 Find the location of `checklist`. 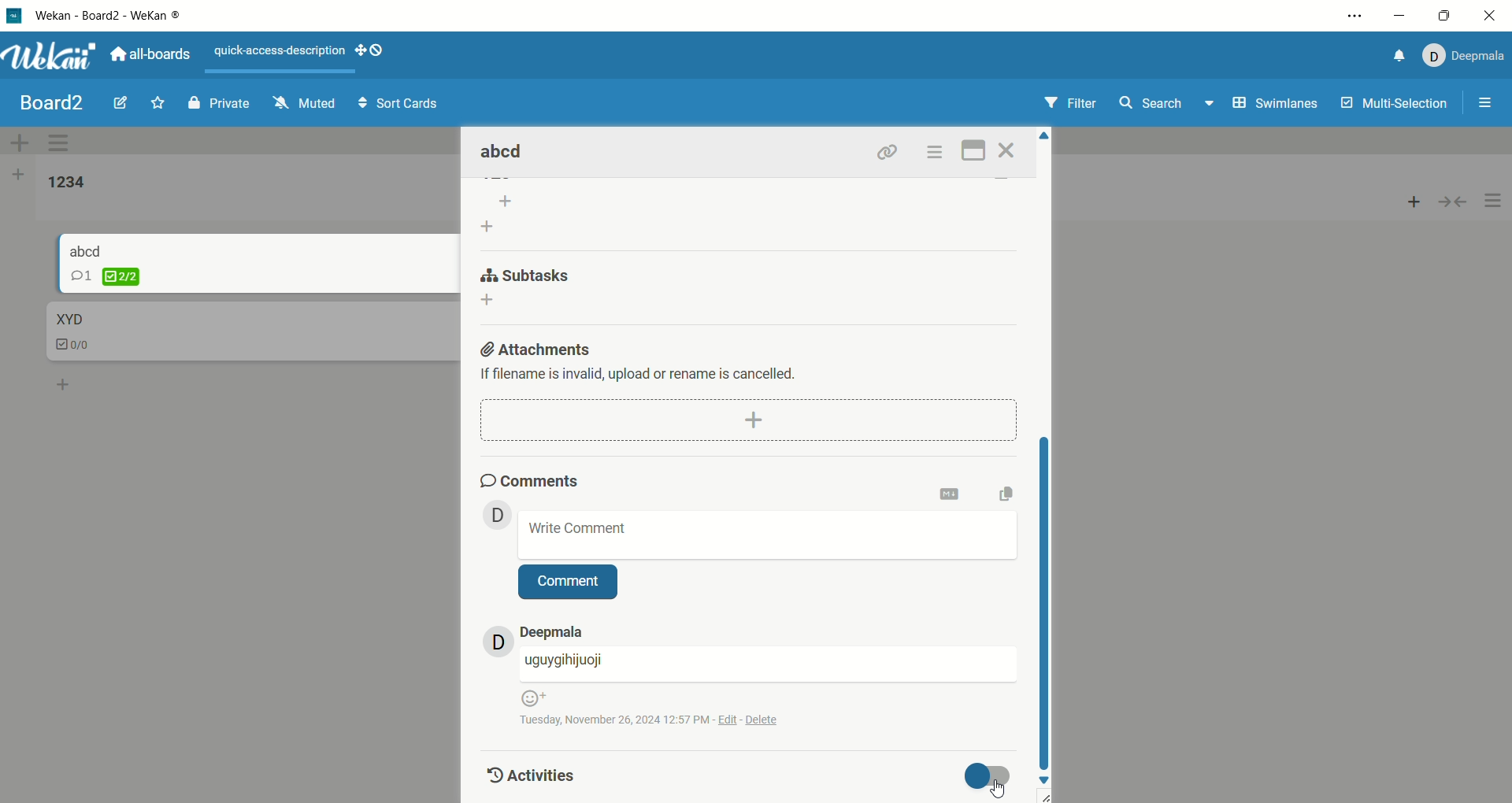

checklist is located at coordinates (75, 346).